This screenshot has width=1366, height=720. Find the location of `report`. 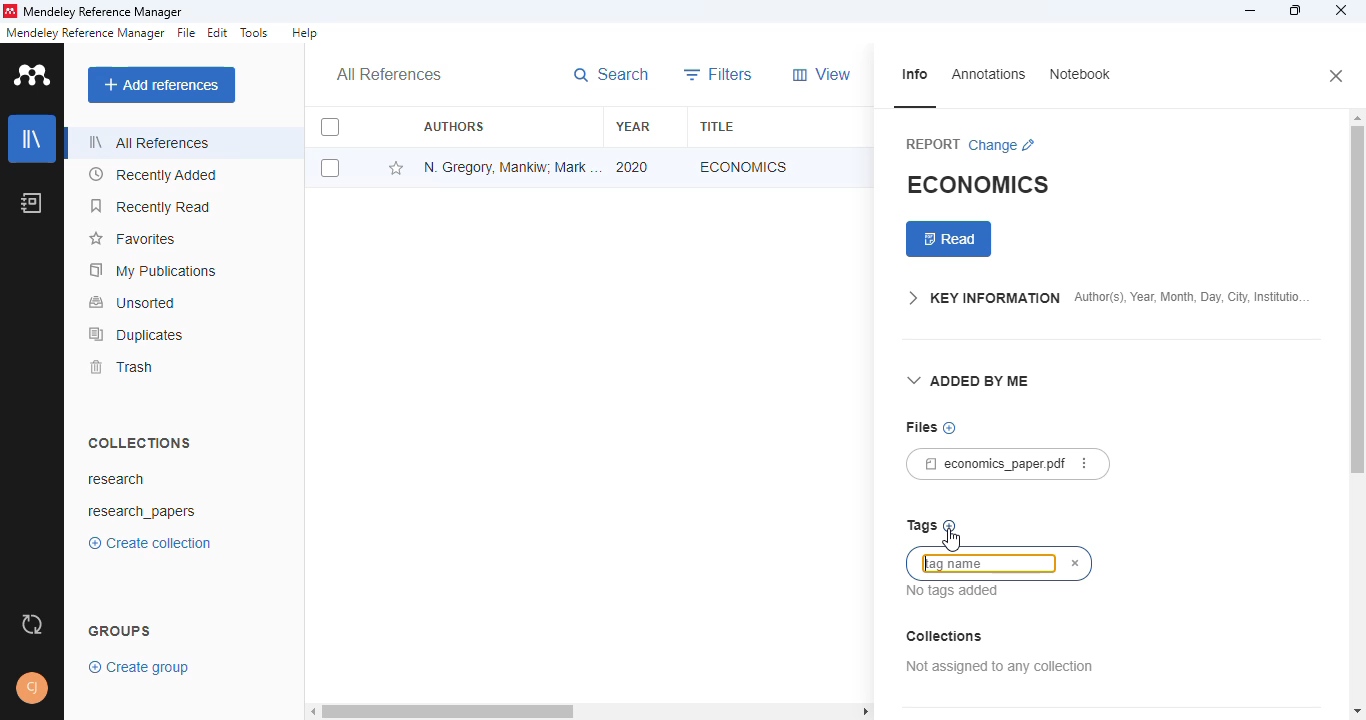

report is located at coordinates (933, 145).